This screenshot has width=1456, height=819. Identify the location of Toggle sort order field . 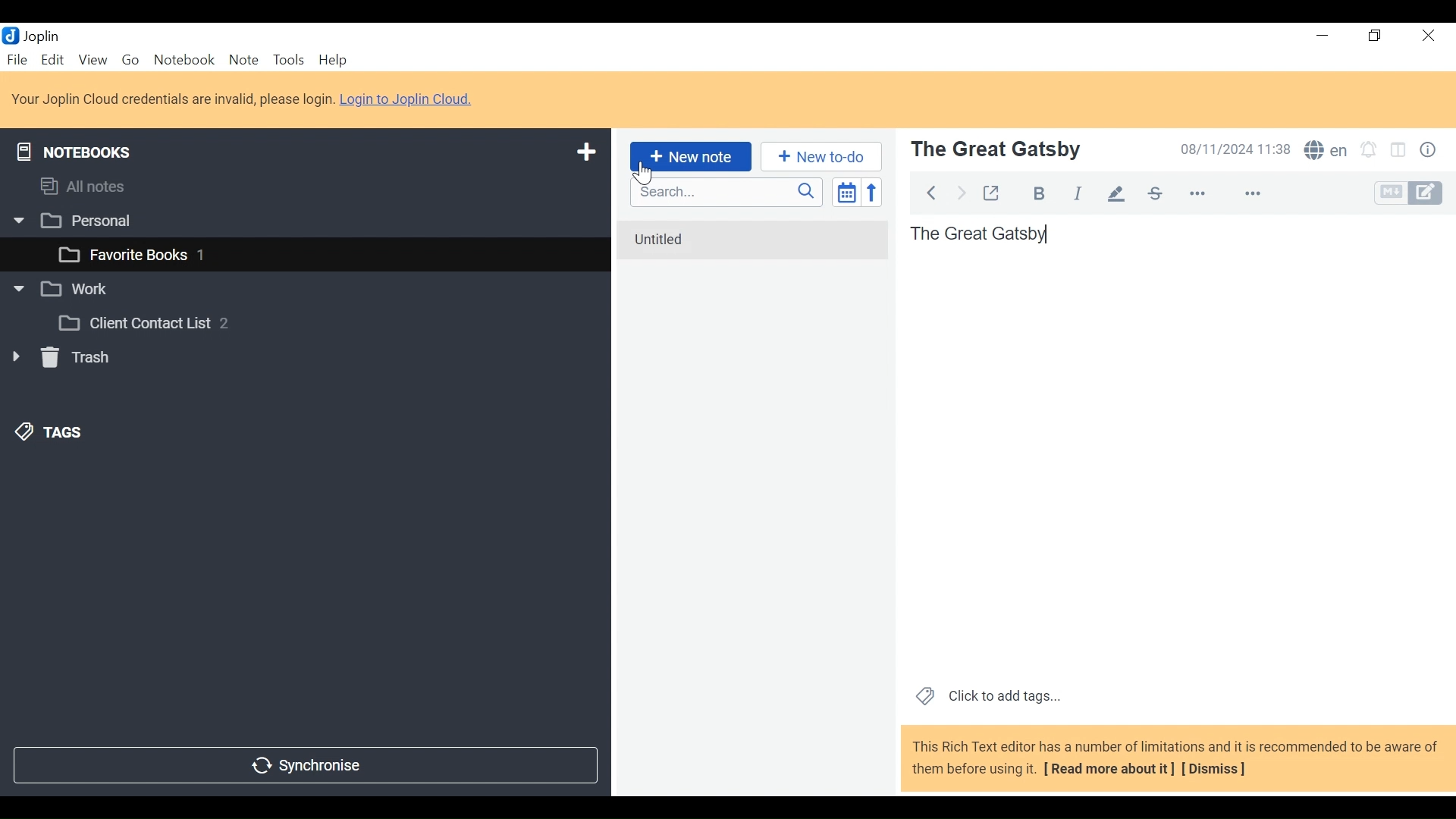
(848, 193).